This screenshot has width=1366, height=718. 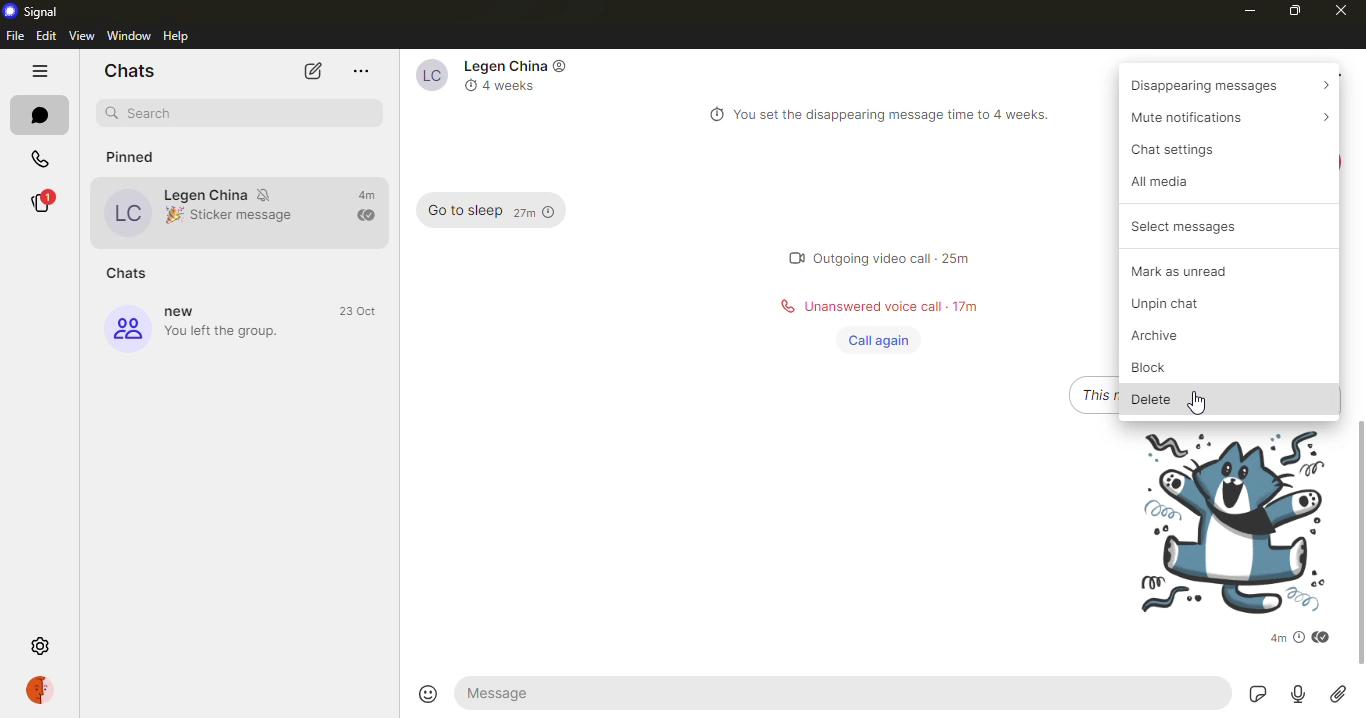 What do you see at coordinates (180, 35) in the screenshot?
I see `help` at bounding box center [180, 35].